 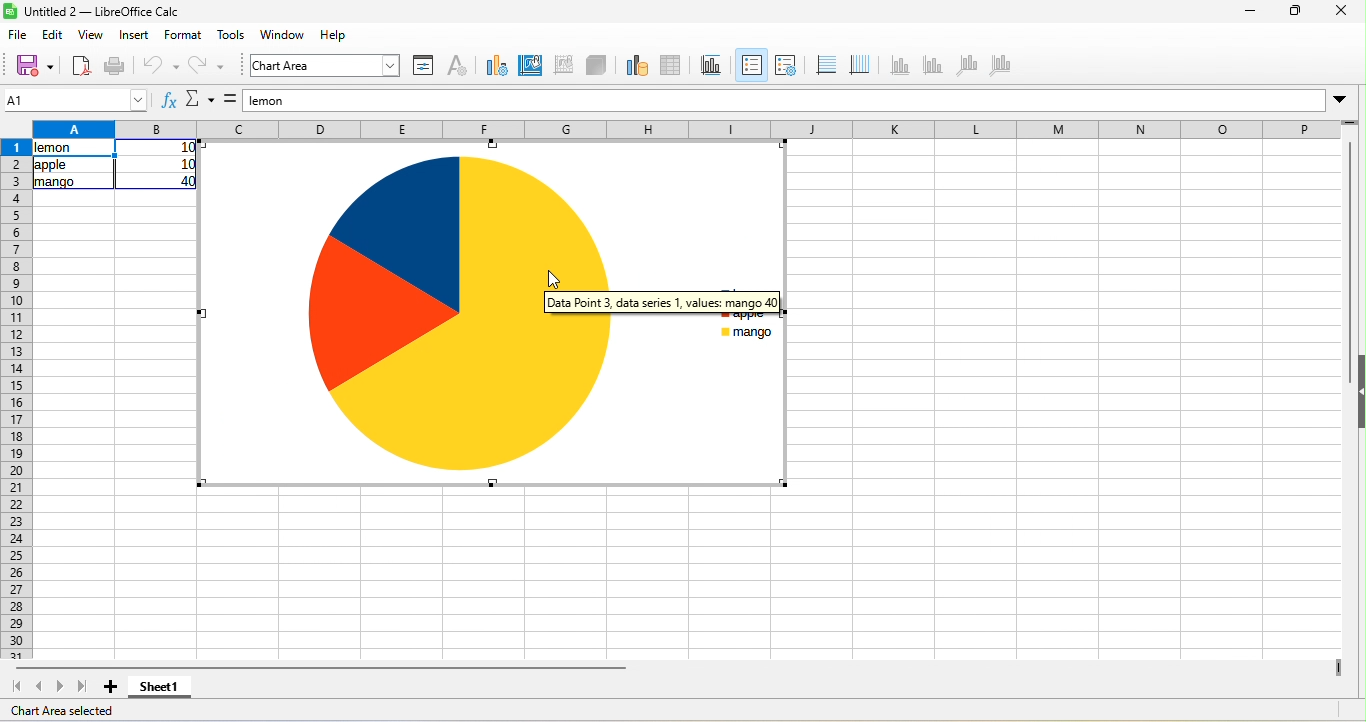 I want to click on 3d view, so click(x=596, y=65).